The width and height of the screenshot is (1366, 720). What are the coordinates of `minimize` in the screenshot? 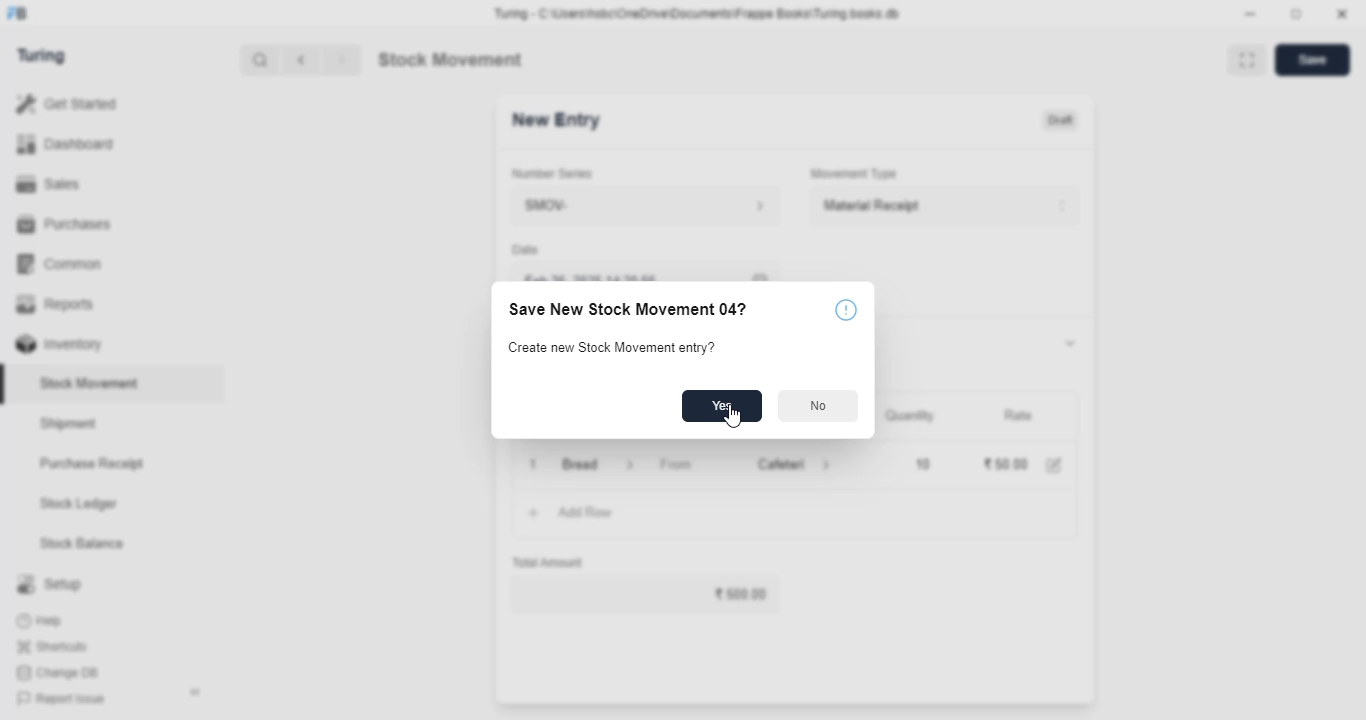 It's located at (1250, 15).